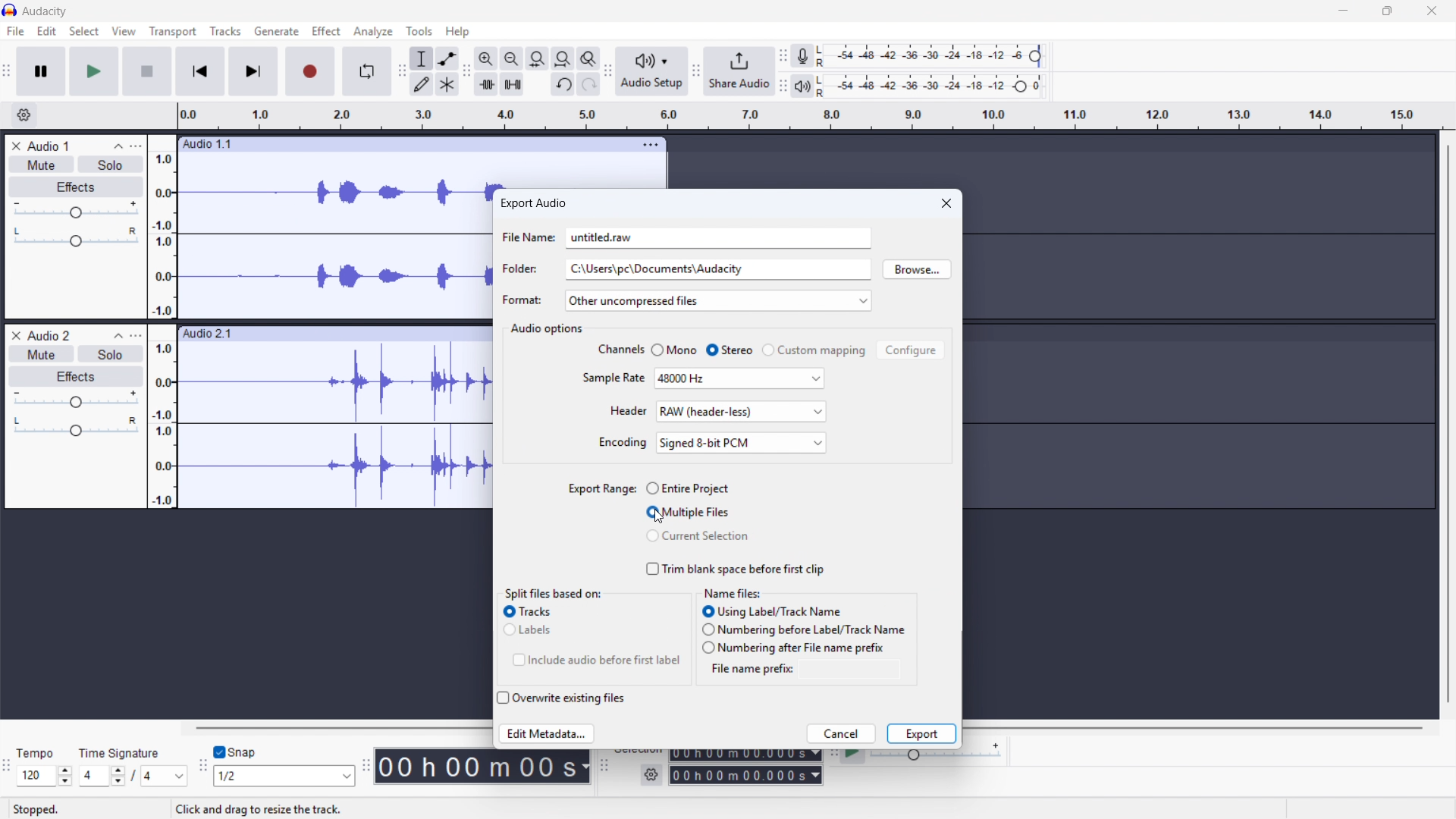  Describe the element at coordinates (596, 660) in the screenshot. I see `Include audio before first label` at that location.